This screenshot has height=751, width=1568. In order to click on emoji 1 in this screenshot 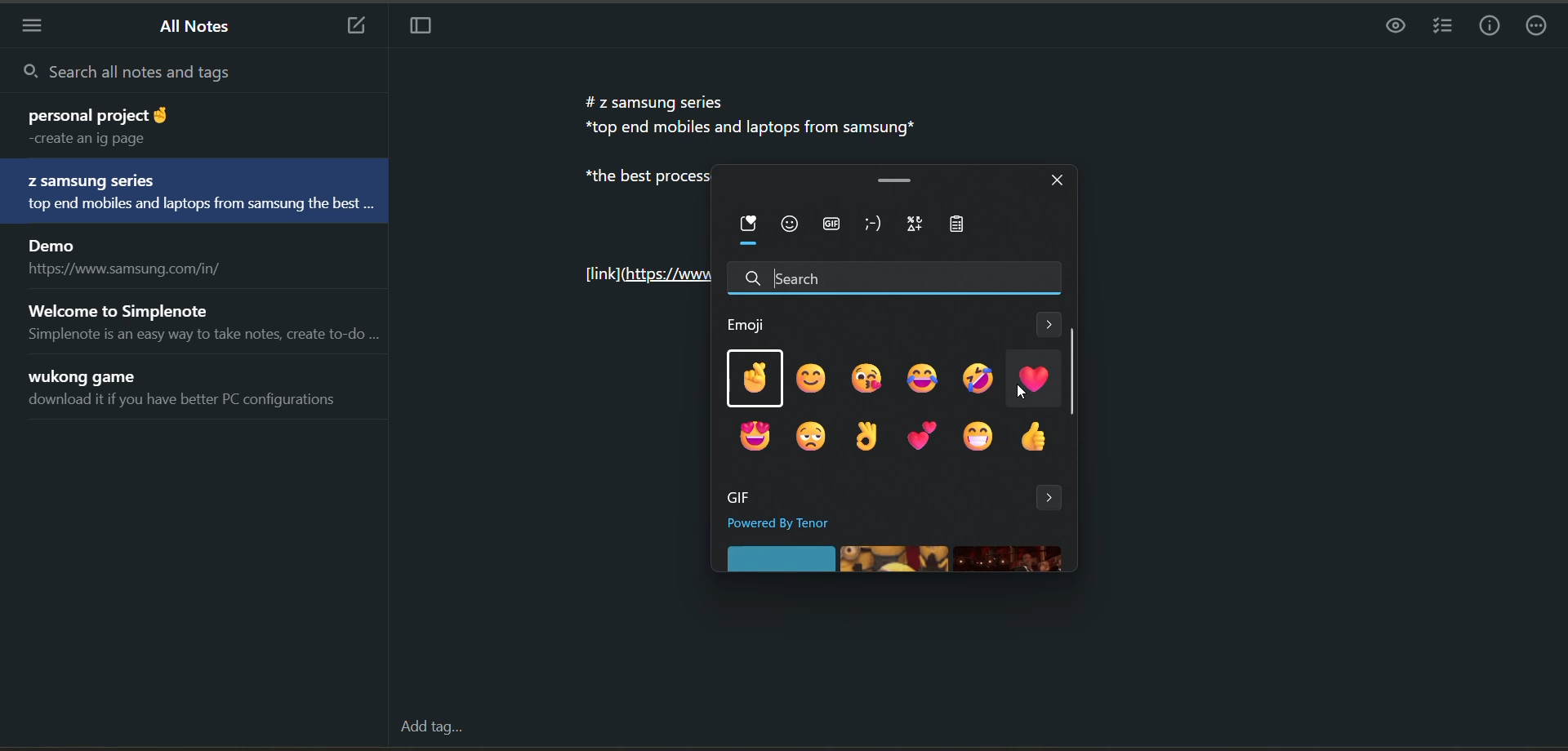, I will do `click(754, 378)`.